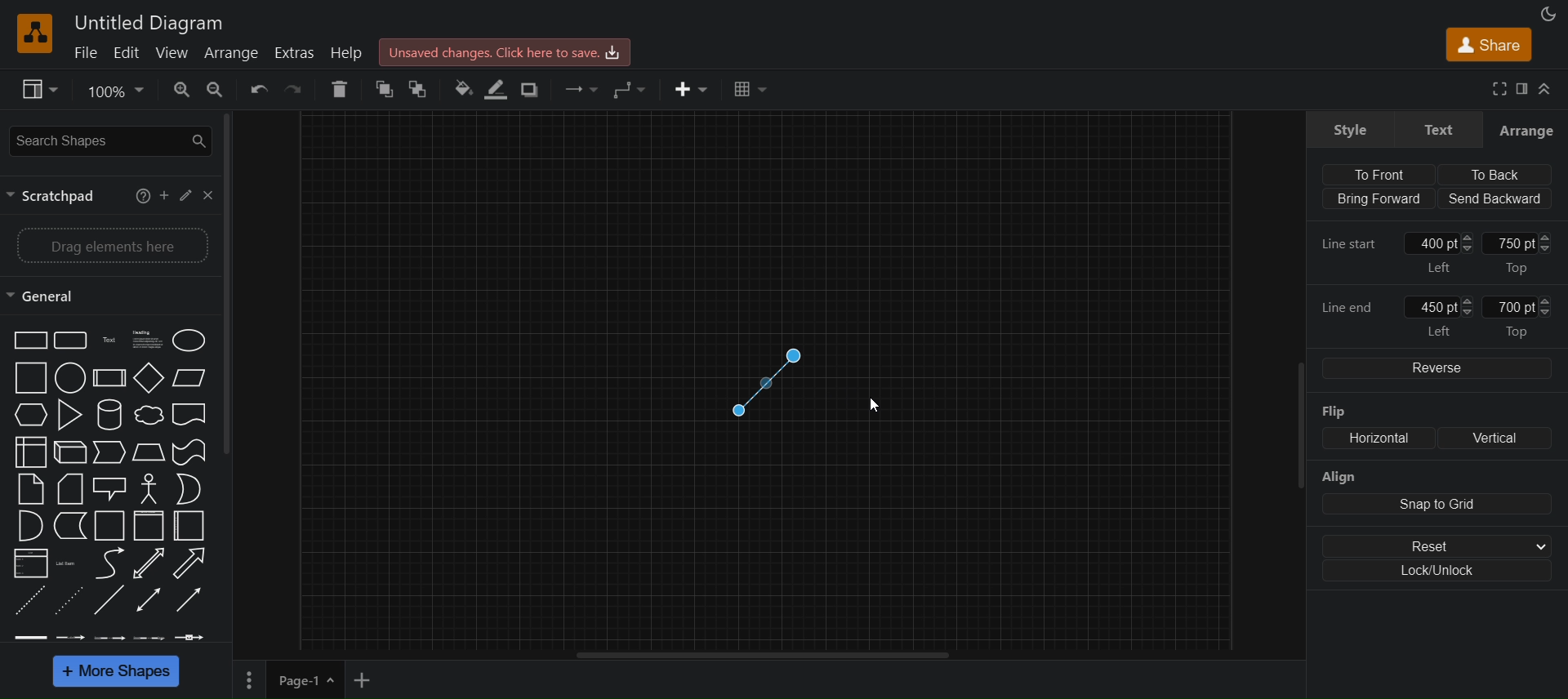  Describe the element at coordinates (69, 378) in the screenshot. I see `Circle` at that location.